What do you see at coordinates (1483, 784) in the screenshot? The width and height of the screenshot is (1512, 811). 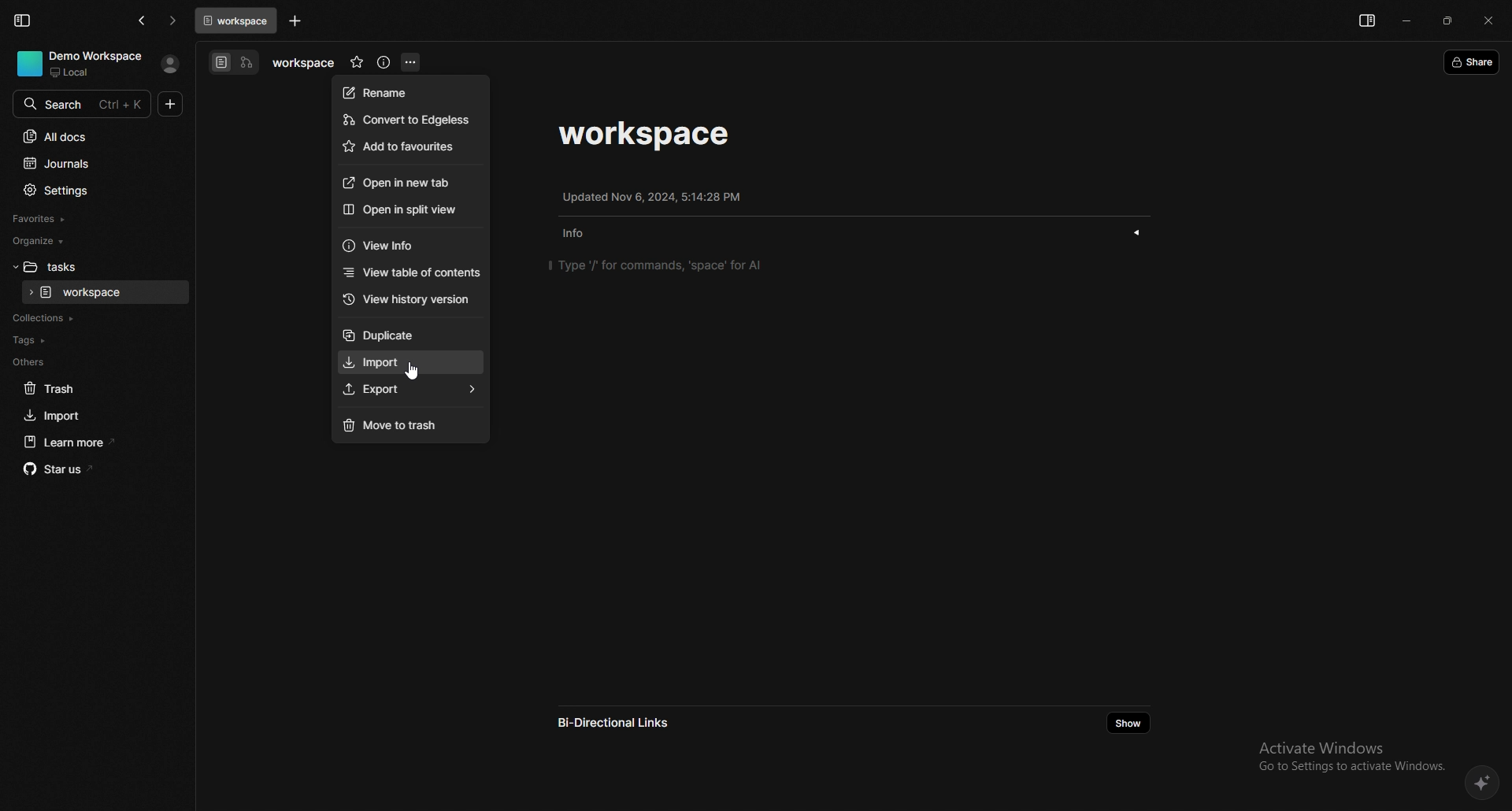 I see `affine ai` at bounding box center [1483, 784].